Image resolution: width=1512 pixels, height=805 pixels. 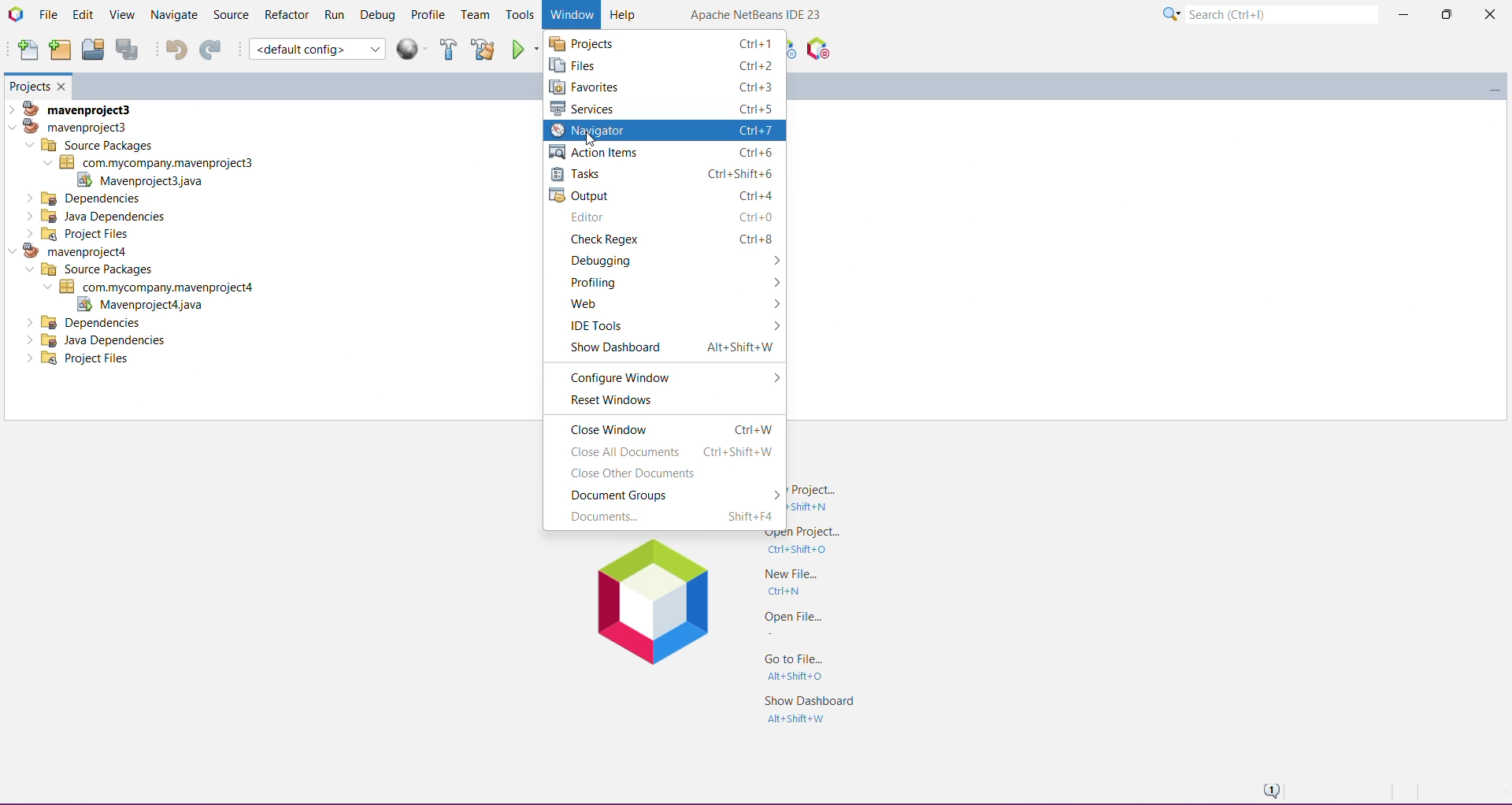 What do you see at coordinates (668, 217) in the screenshot?
I see `Editor` at bounding box center [668, 217].